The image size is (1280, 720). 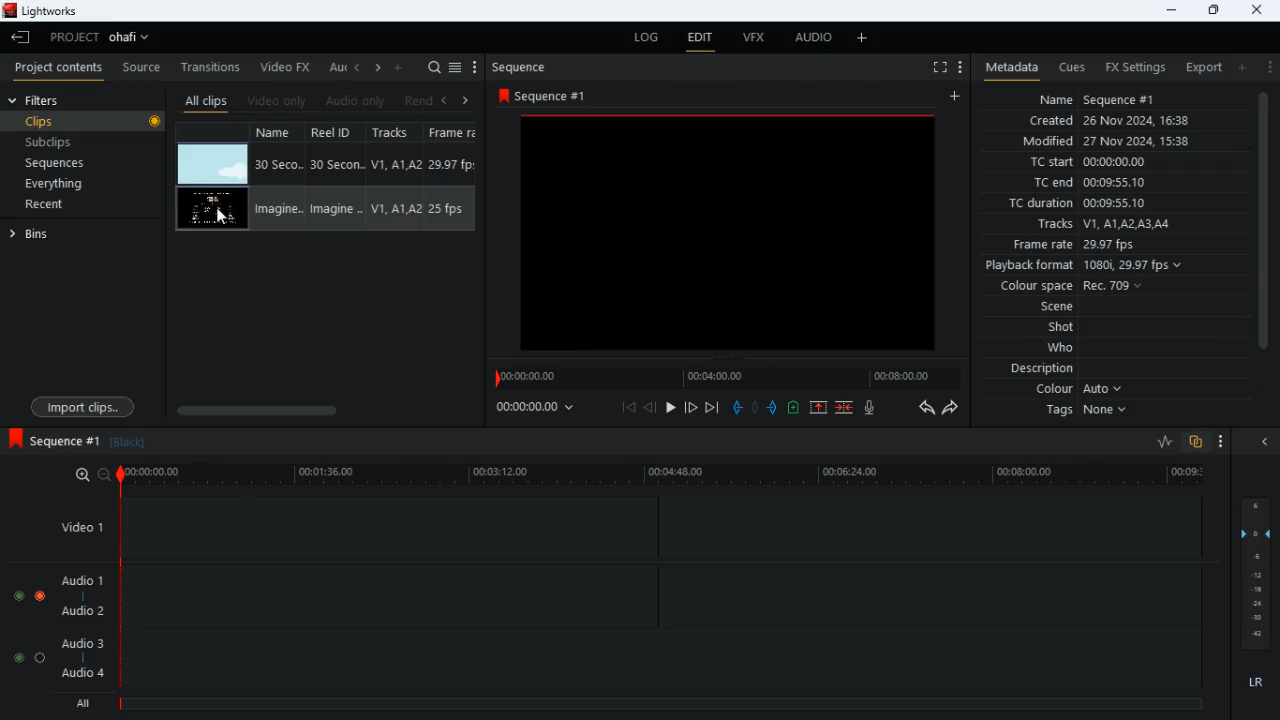 I want to click on tc end, so click(x=1097, y=183).